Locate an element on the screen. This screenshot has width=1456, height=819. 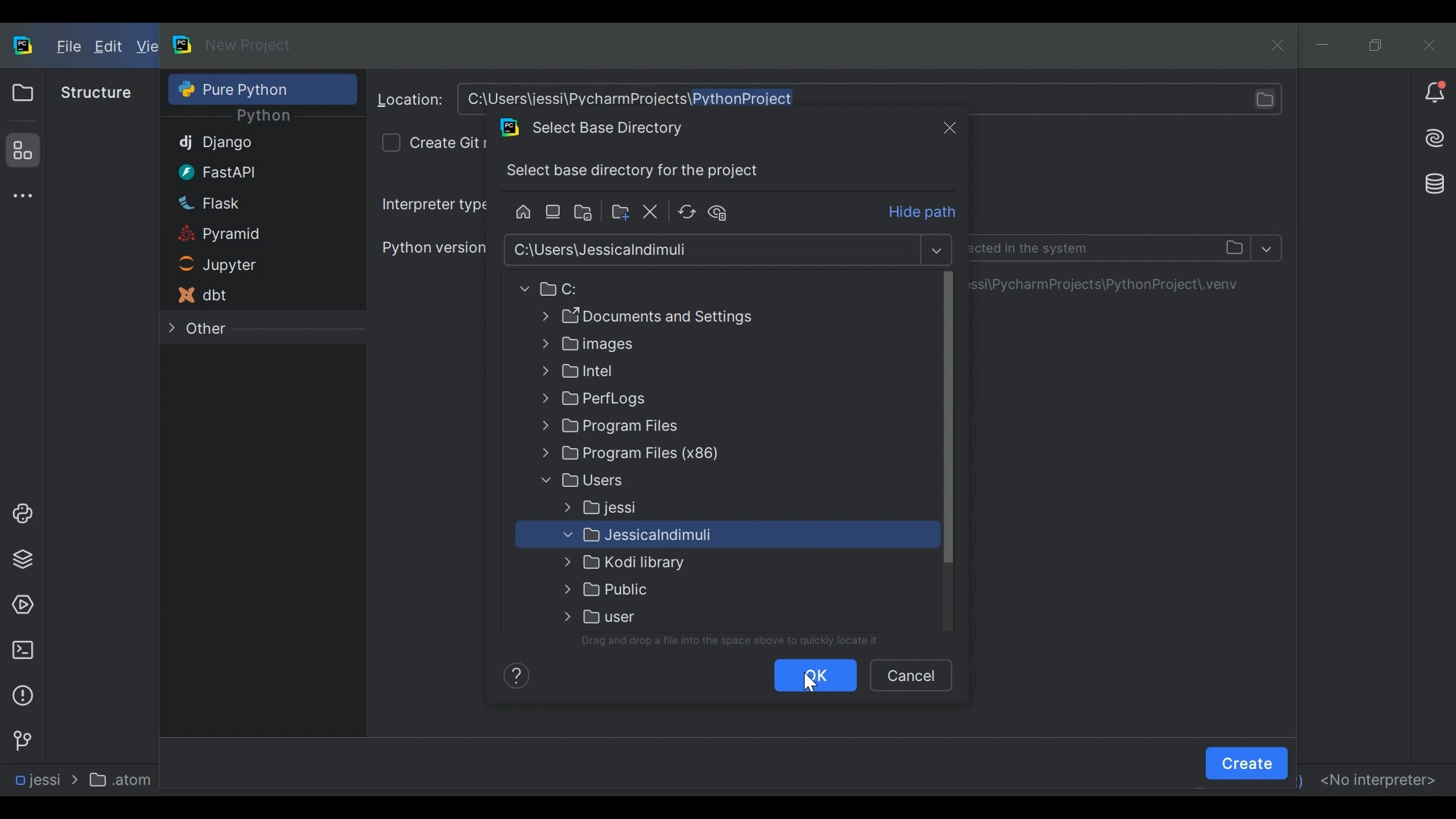
jes is located at coordinates (35, 780).